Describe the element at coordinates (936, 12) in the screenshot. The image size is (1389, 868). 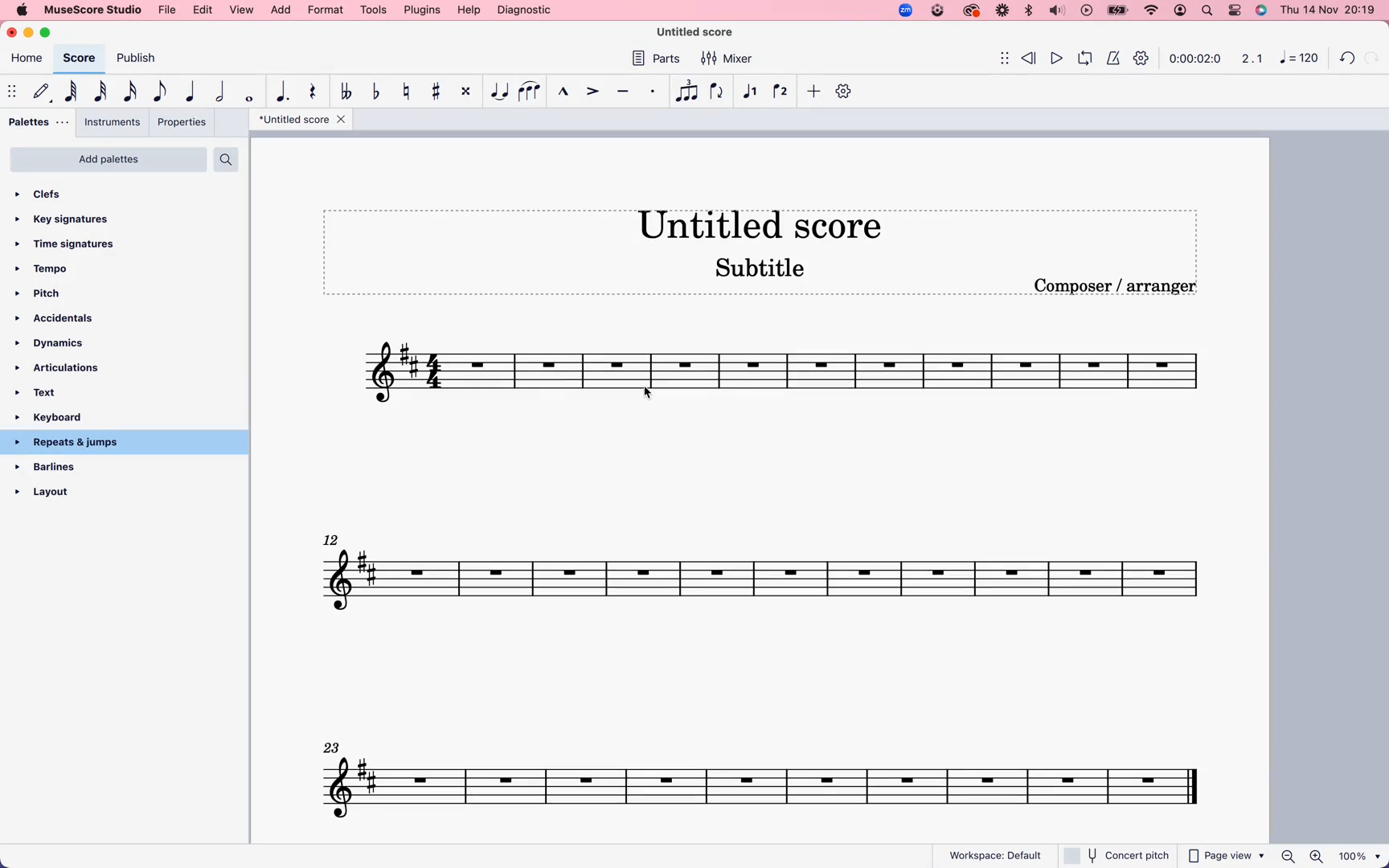
I see `screen pal` at that location.